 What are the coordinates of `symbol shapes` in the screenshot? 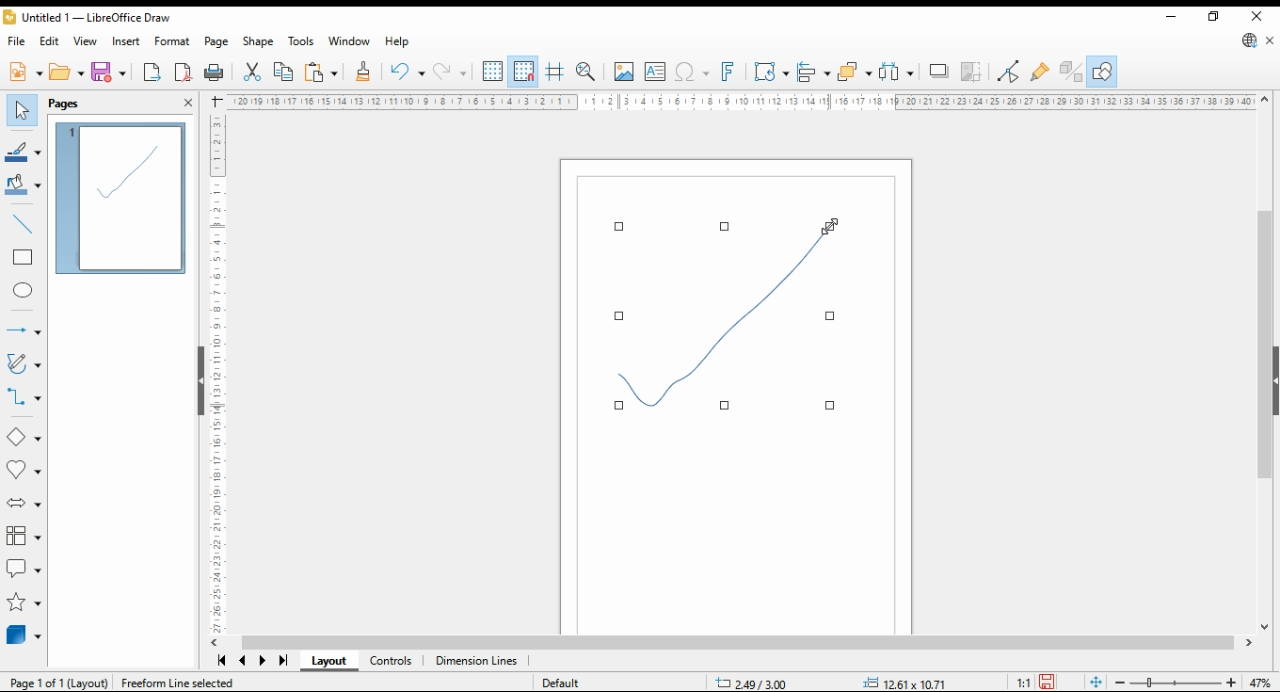 It's located at (23, 471).